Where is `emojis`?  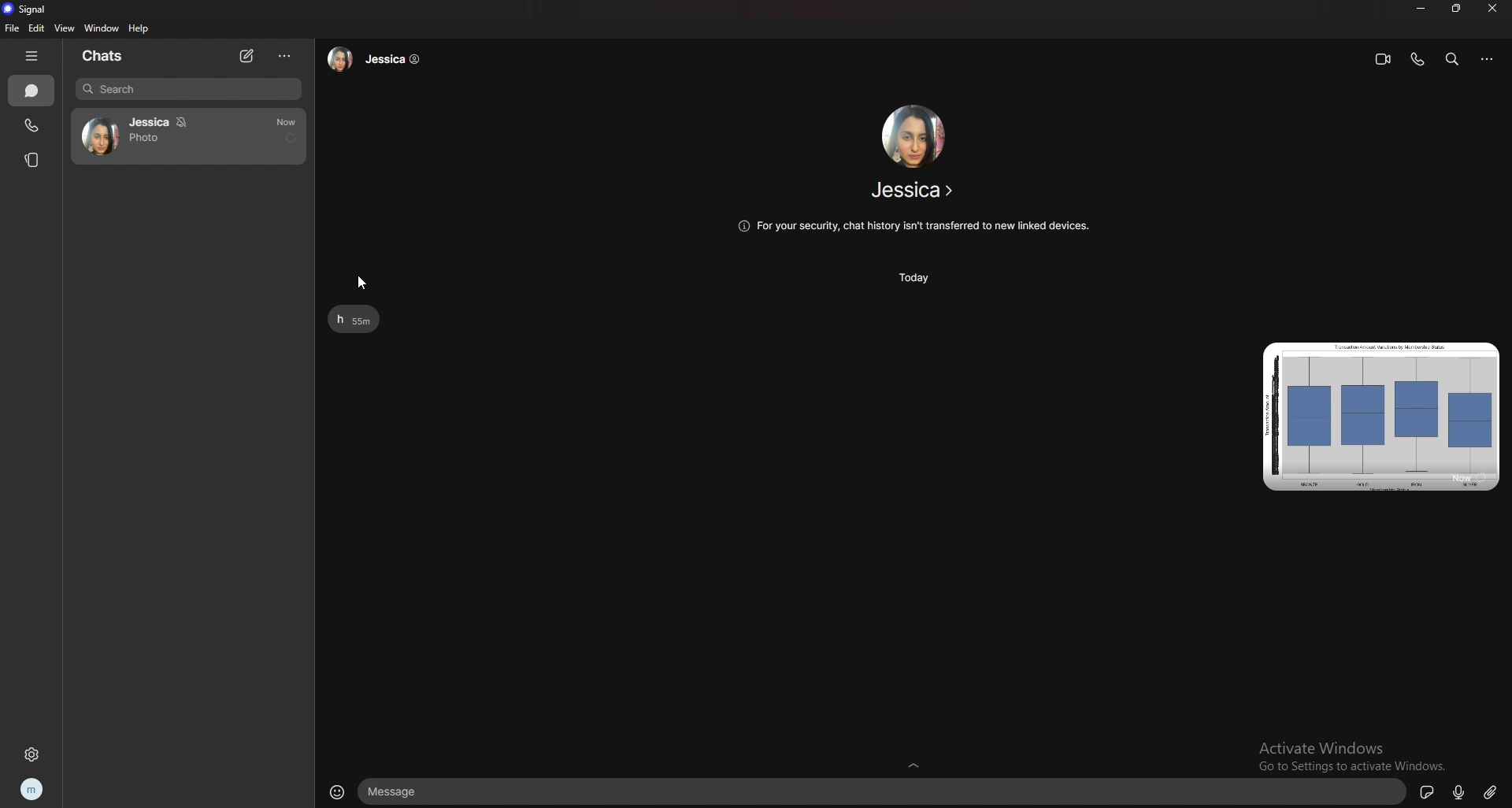
emojis is located at coordinates (336, 791).